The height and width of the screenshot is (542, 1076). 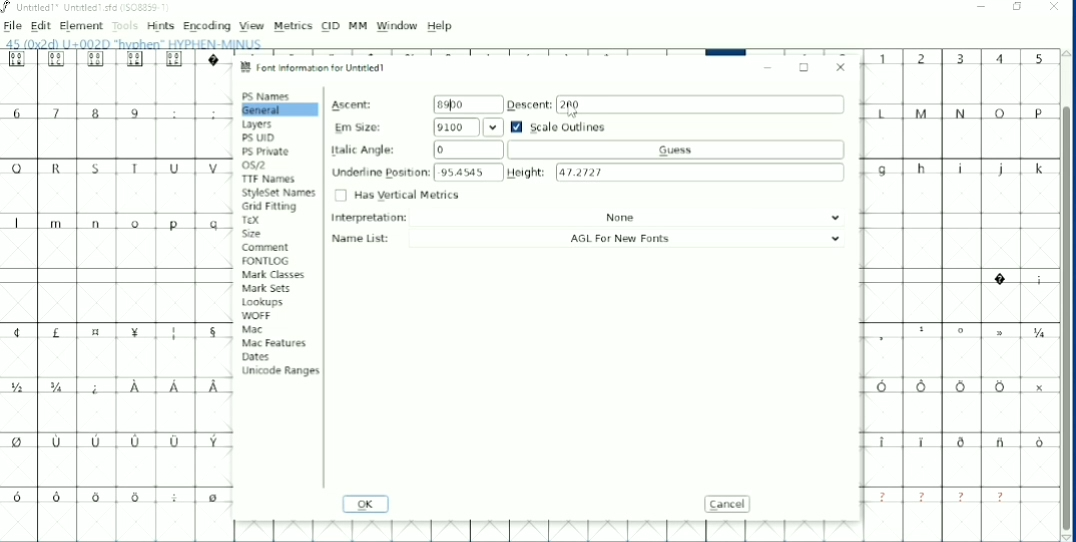 What do you see at coordinates (559, 126) in the screenshot?
I see `Scale Outlines` at bounding box center [559, 126].